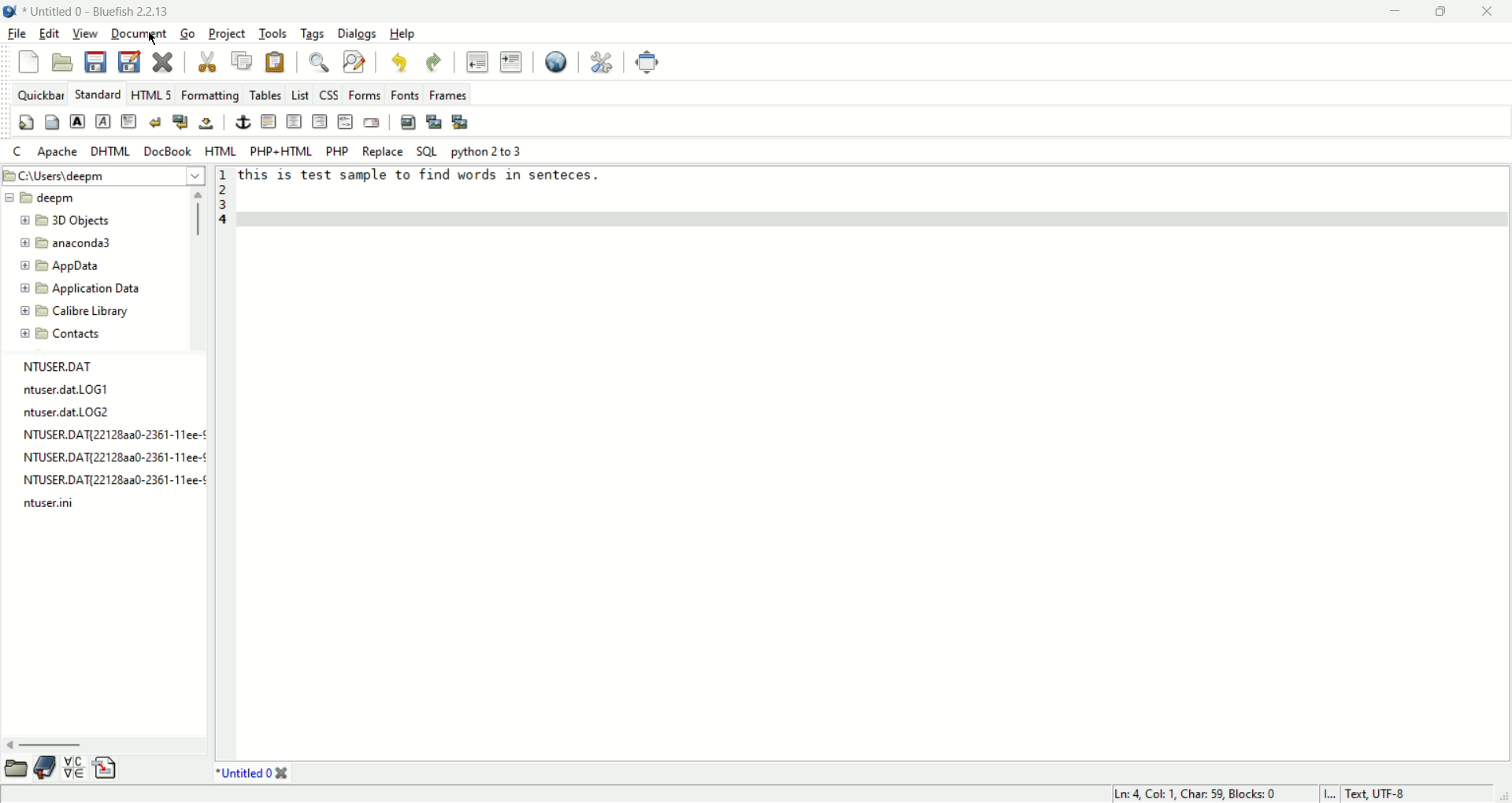  Describe the element at coordinates (141, 34) in the screenshot. I see `document` at that location.